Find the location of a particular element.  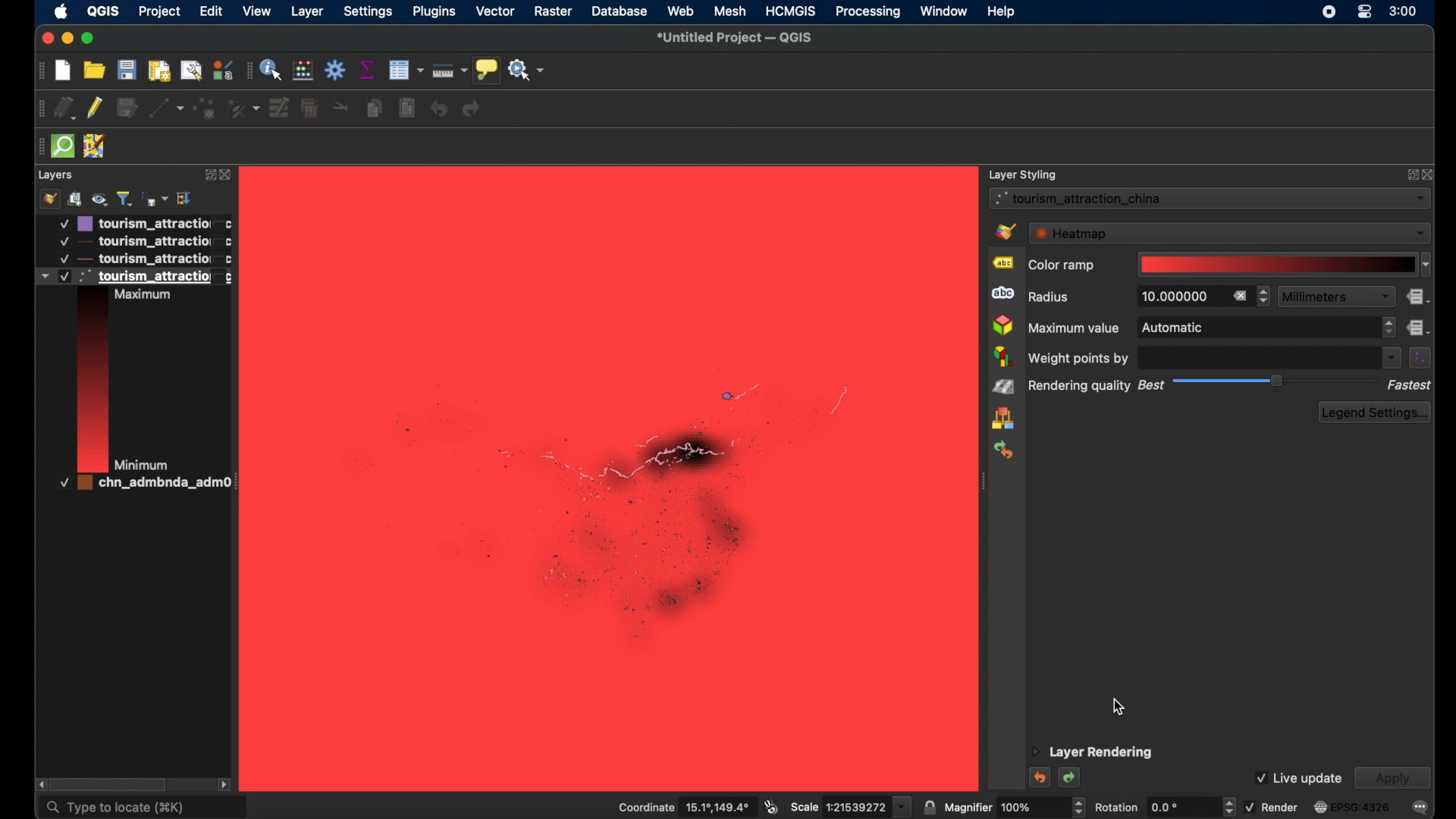

paste features is located at coordinates (406, 108).